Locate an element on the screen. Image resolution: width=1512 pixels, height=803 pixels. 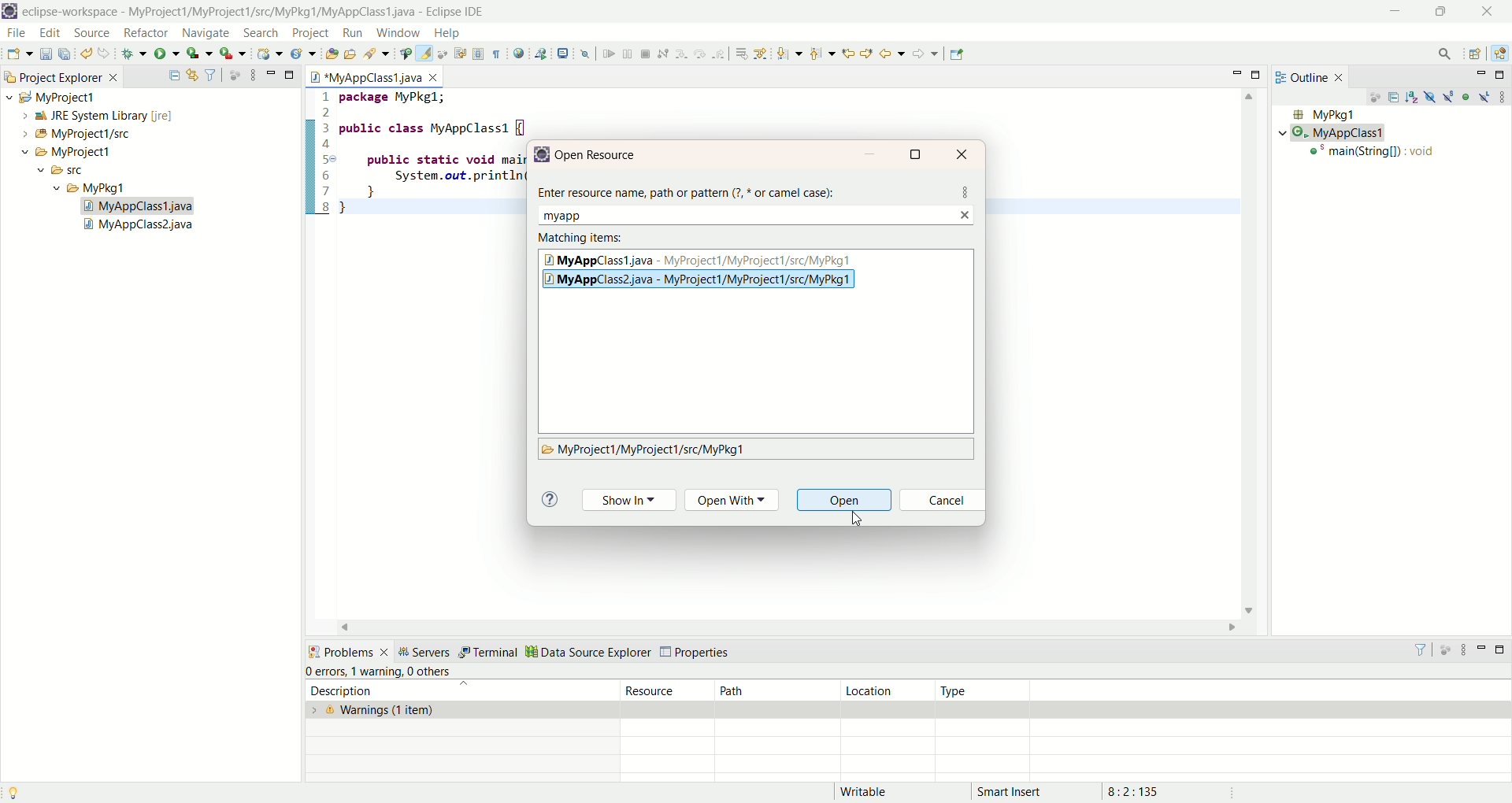
JRE system library is located at coordinates (90, 116).